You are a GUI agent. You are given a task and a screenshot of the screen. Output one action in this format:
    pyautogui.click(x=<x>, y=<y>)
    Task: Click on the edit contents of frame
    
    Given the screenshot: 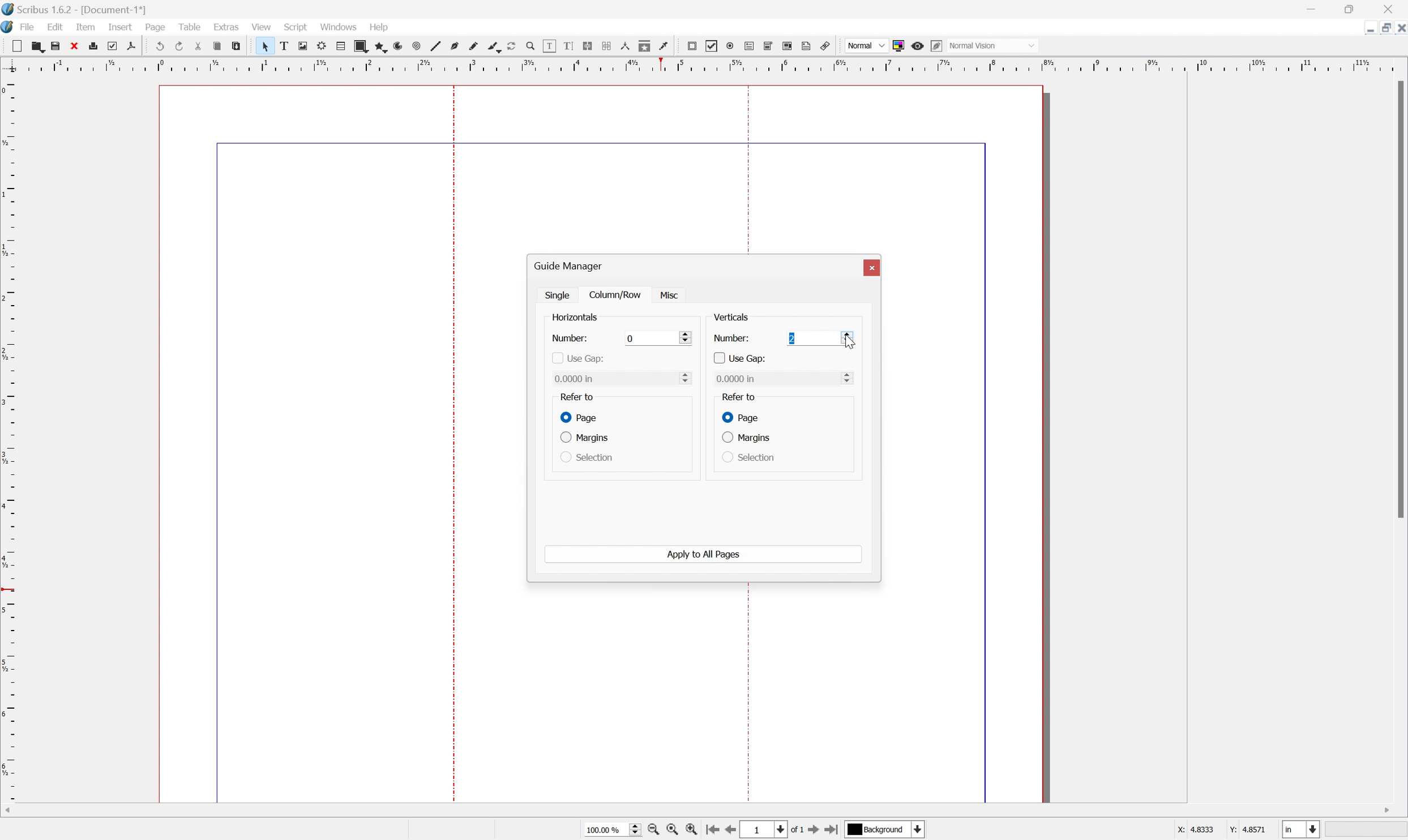 What is the action you would take?
    pyautogui.click(x=549, y=45)
    